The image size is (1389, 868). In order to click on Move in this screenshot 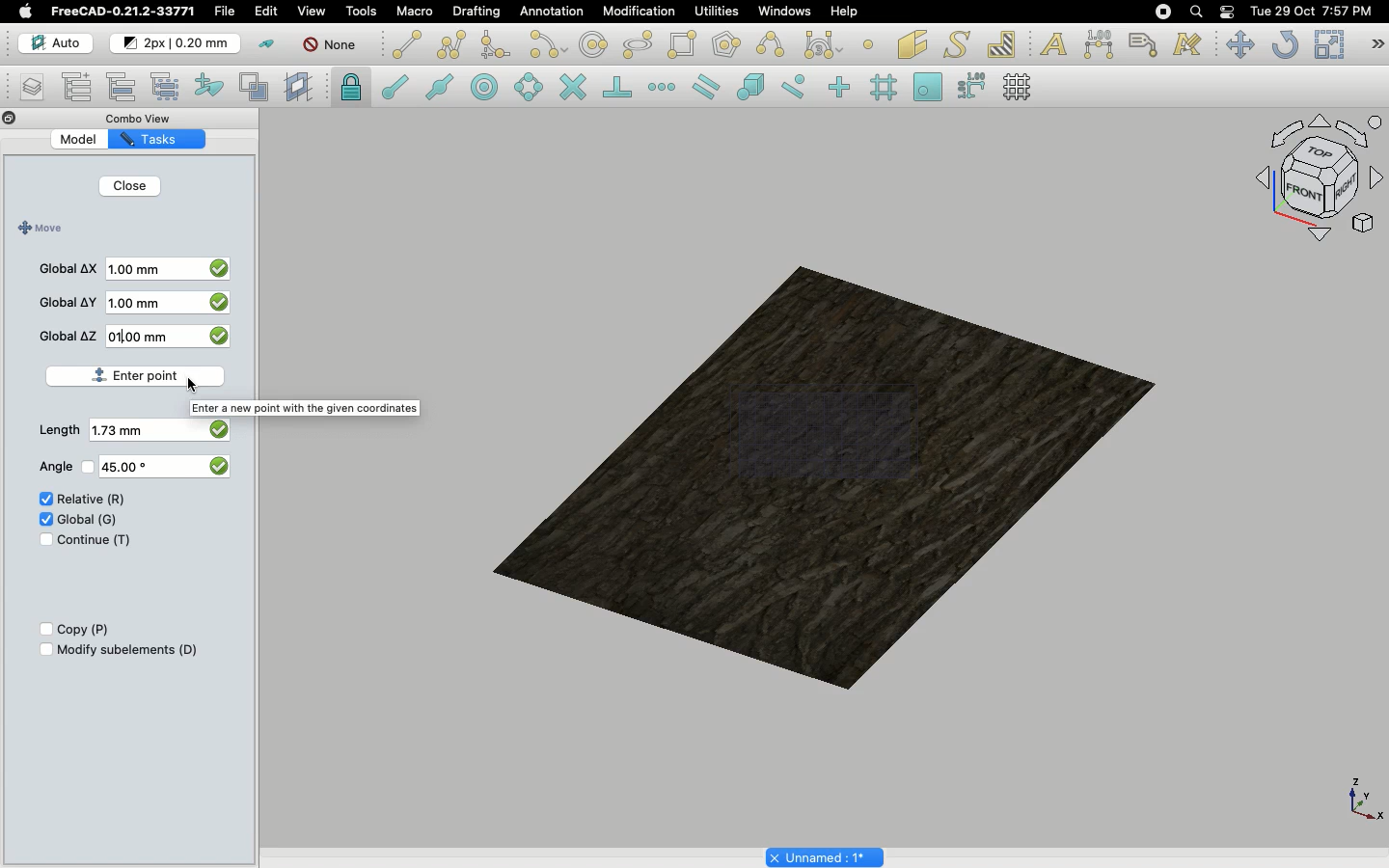, I will do `click(38, 229)`.